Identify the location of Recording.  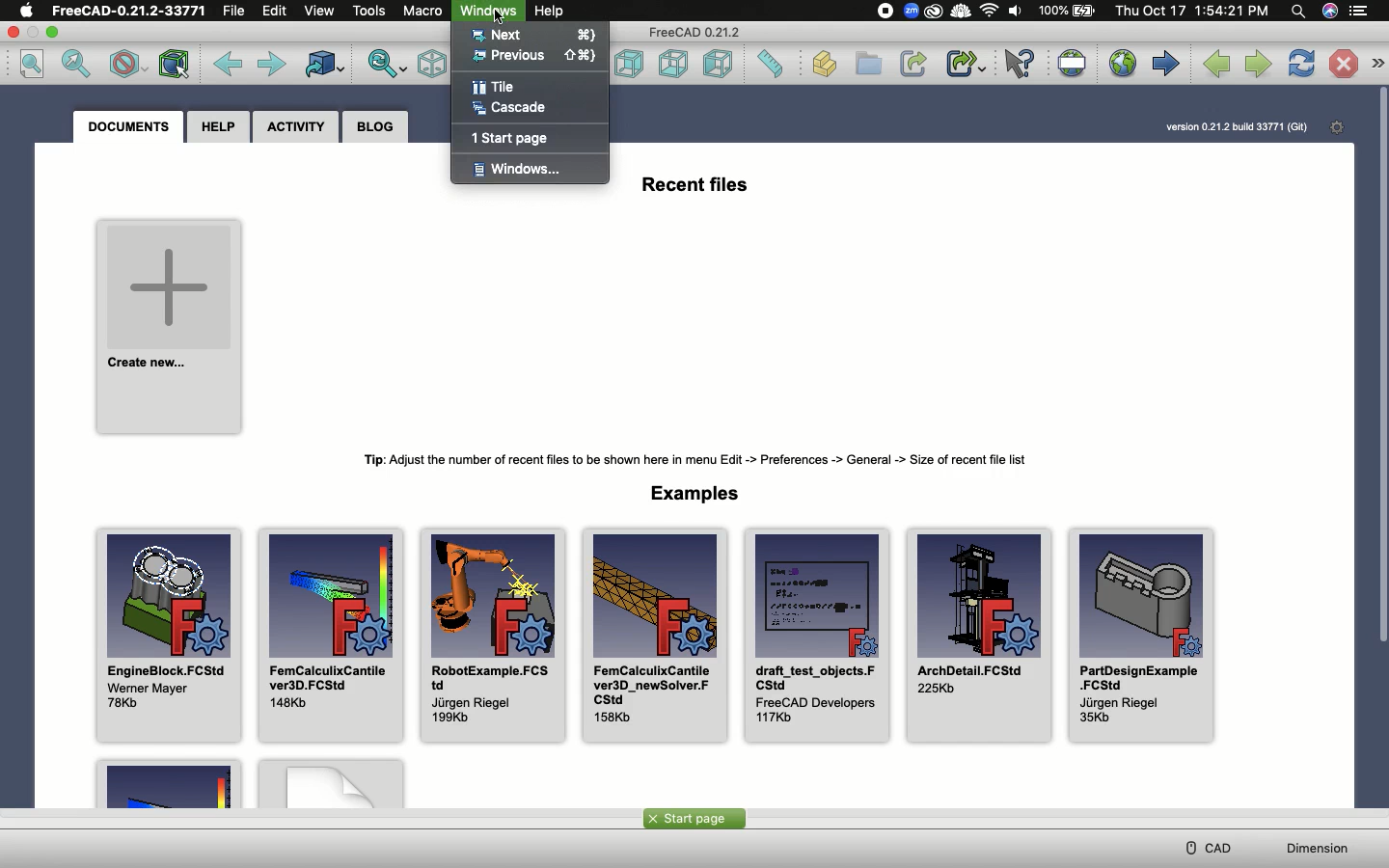
(881, 12).